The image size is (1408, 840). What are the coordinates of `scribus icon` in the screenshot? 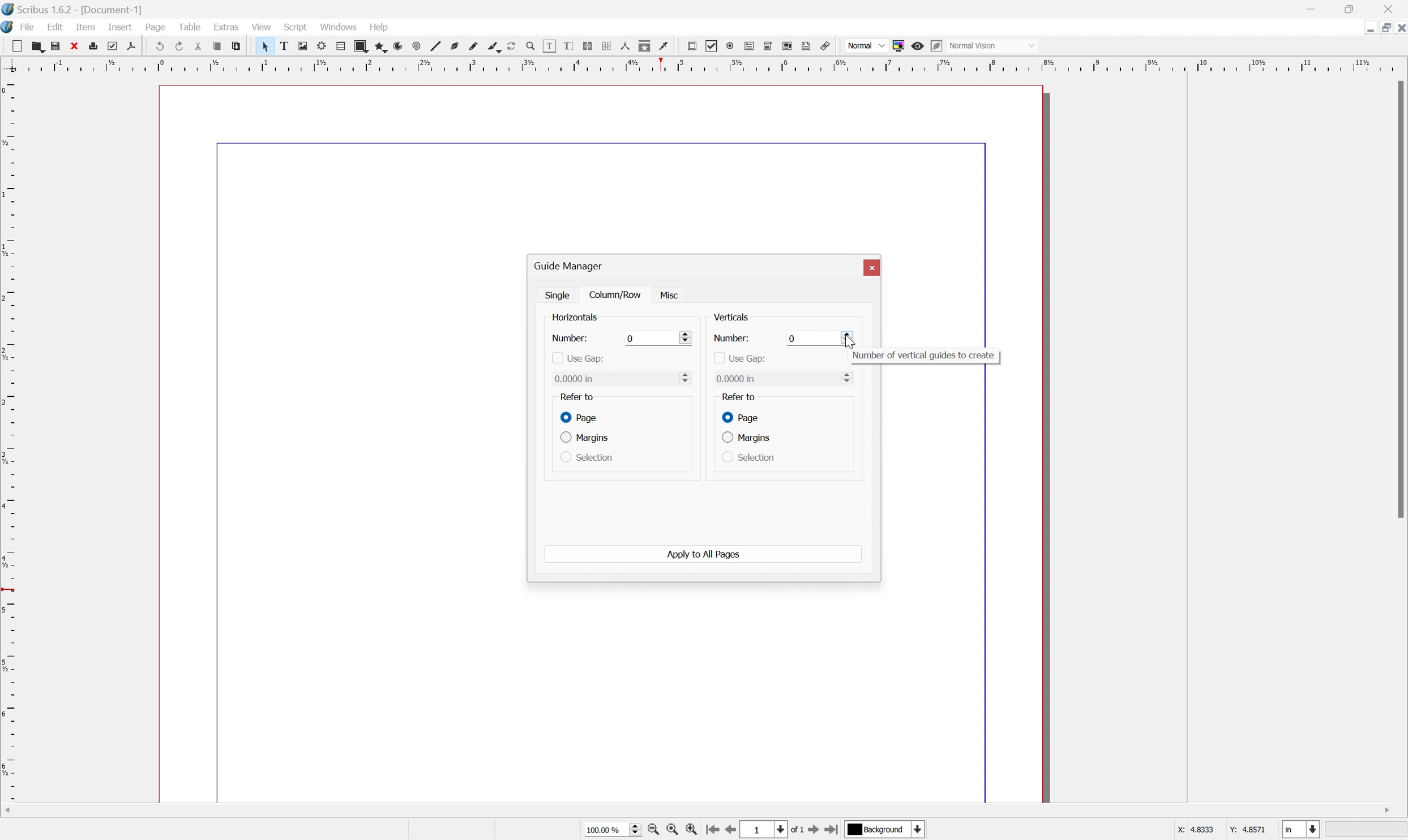 It's located at (9, 28).